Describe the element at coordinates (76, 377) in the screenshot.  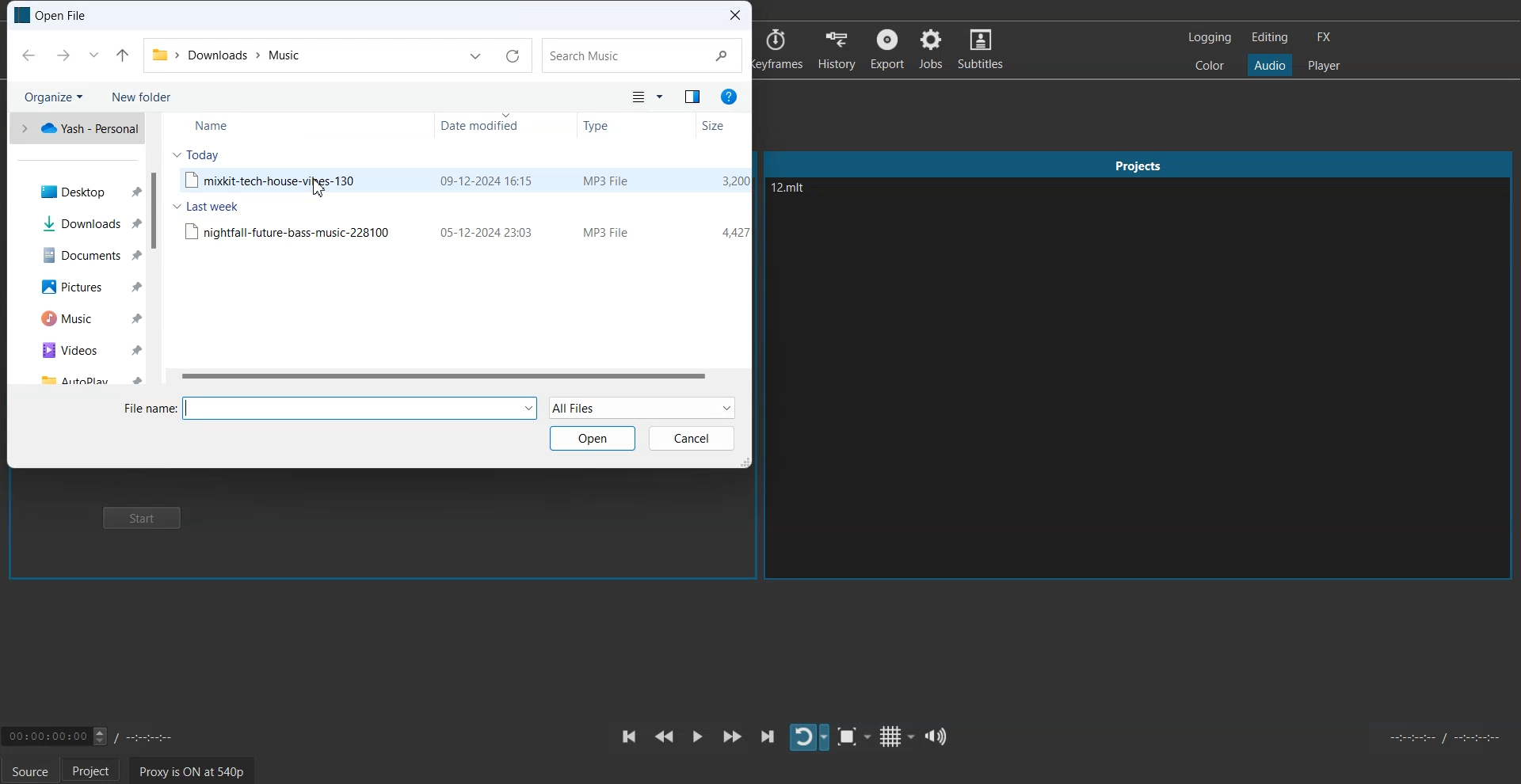
I see `Autoplay` at that location.